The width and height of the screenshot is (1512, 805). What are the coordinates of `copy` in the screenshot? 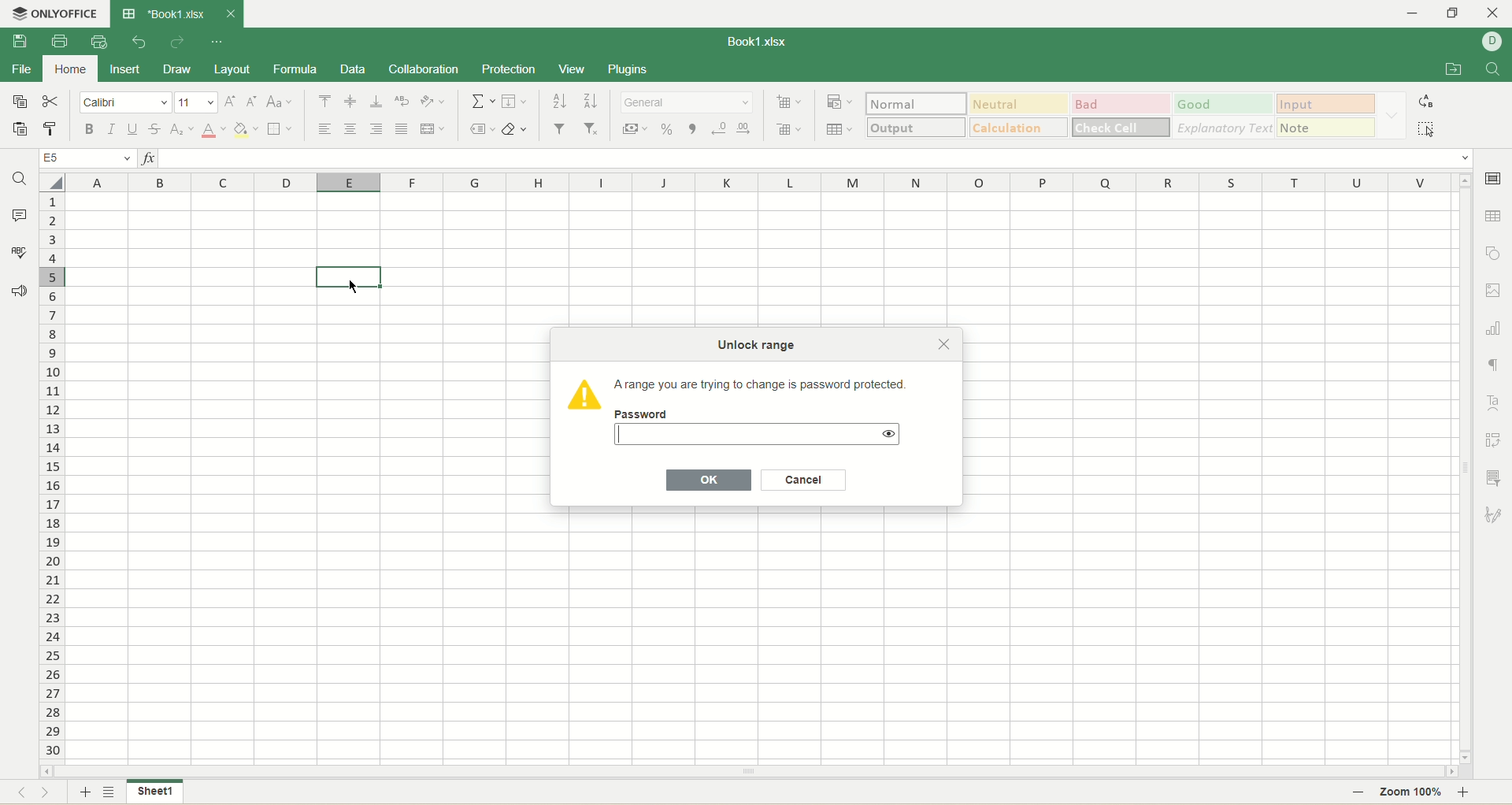 It's located at (22, 101).